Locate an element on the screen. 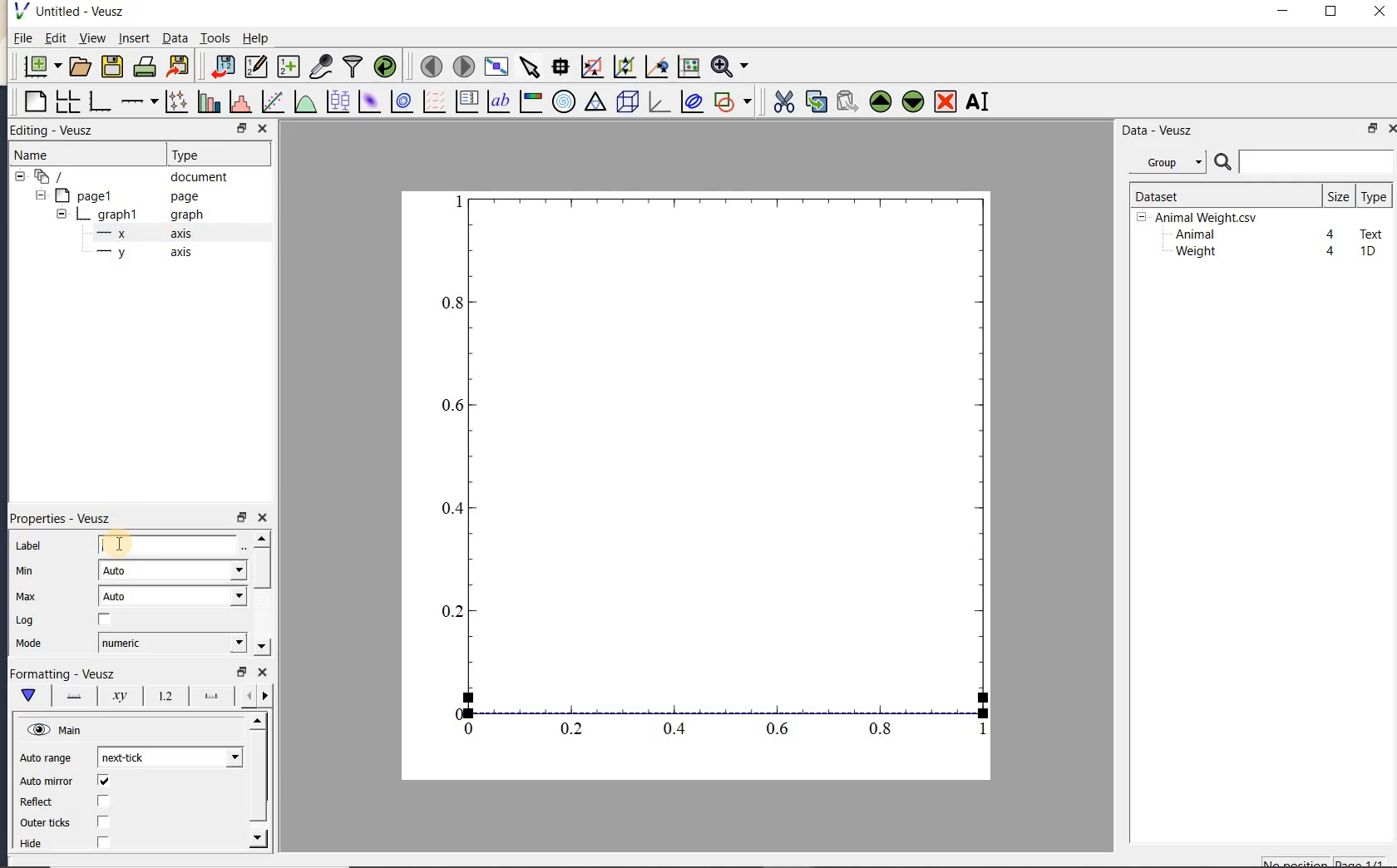 This screenshot has width=1397, height=868. arrange graphs in a grid is located at coordinates (67, 101).